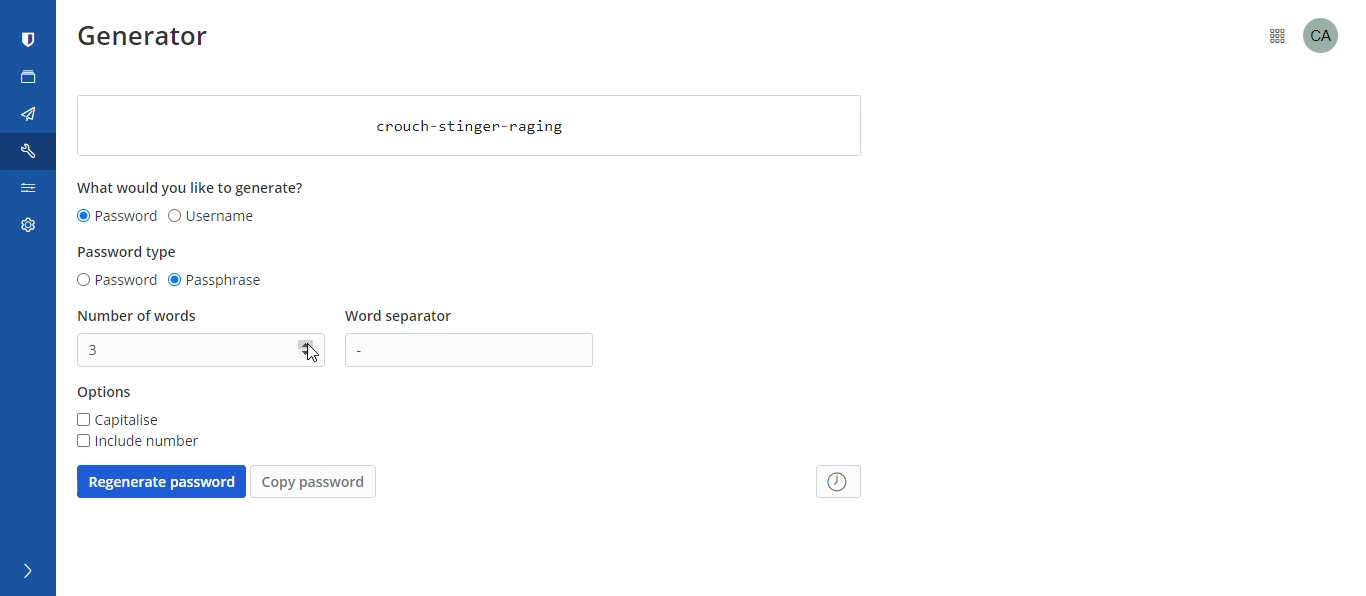 The image size is (1366, 596). What do you see at coordinates (115, 281) in the screenshot?
I see `password radio button` at bounding box center [115, 281].